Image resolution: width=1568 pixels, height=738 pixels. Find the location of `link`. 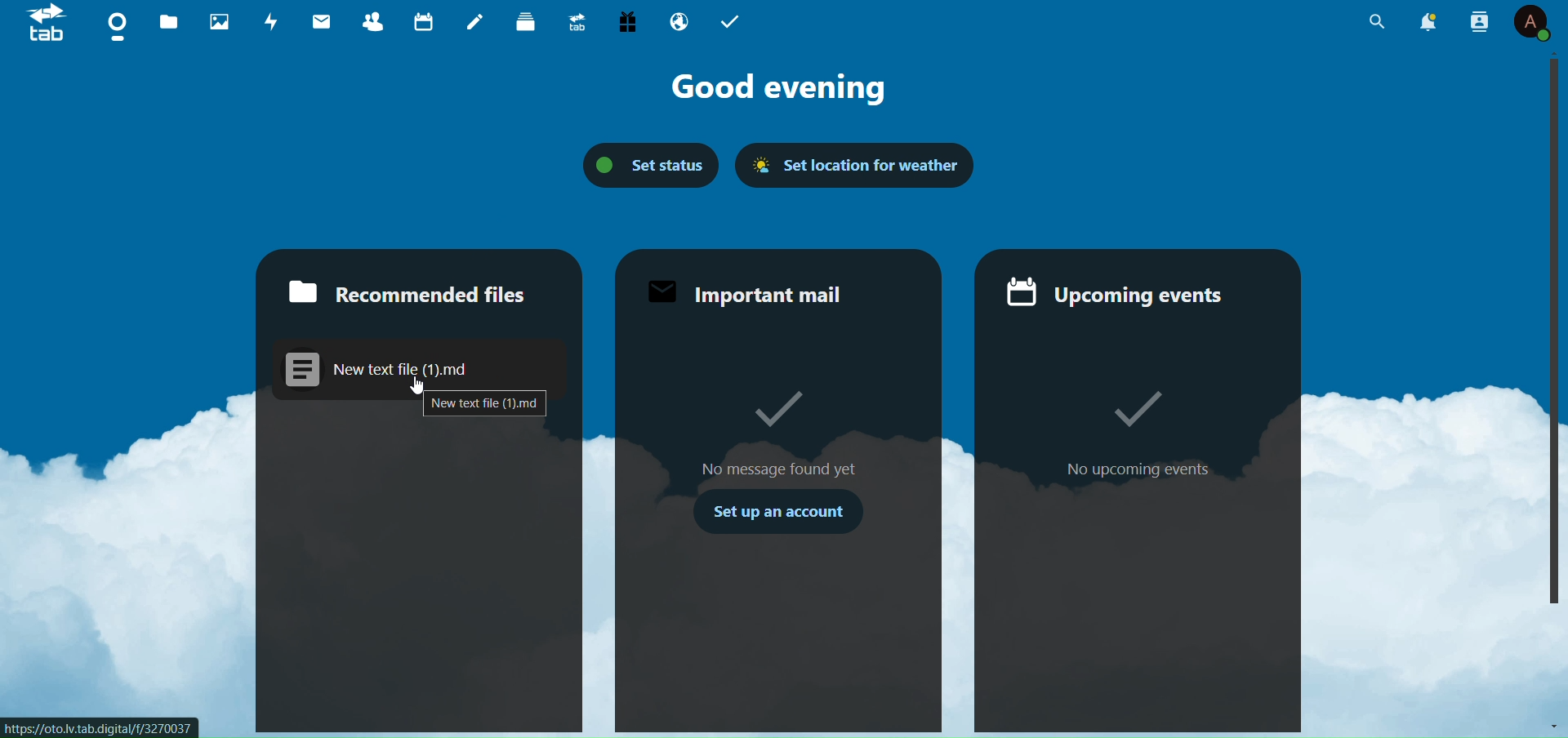

link is located at coordinates (100, 727).